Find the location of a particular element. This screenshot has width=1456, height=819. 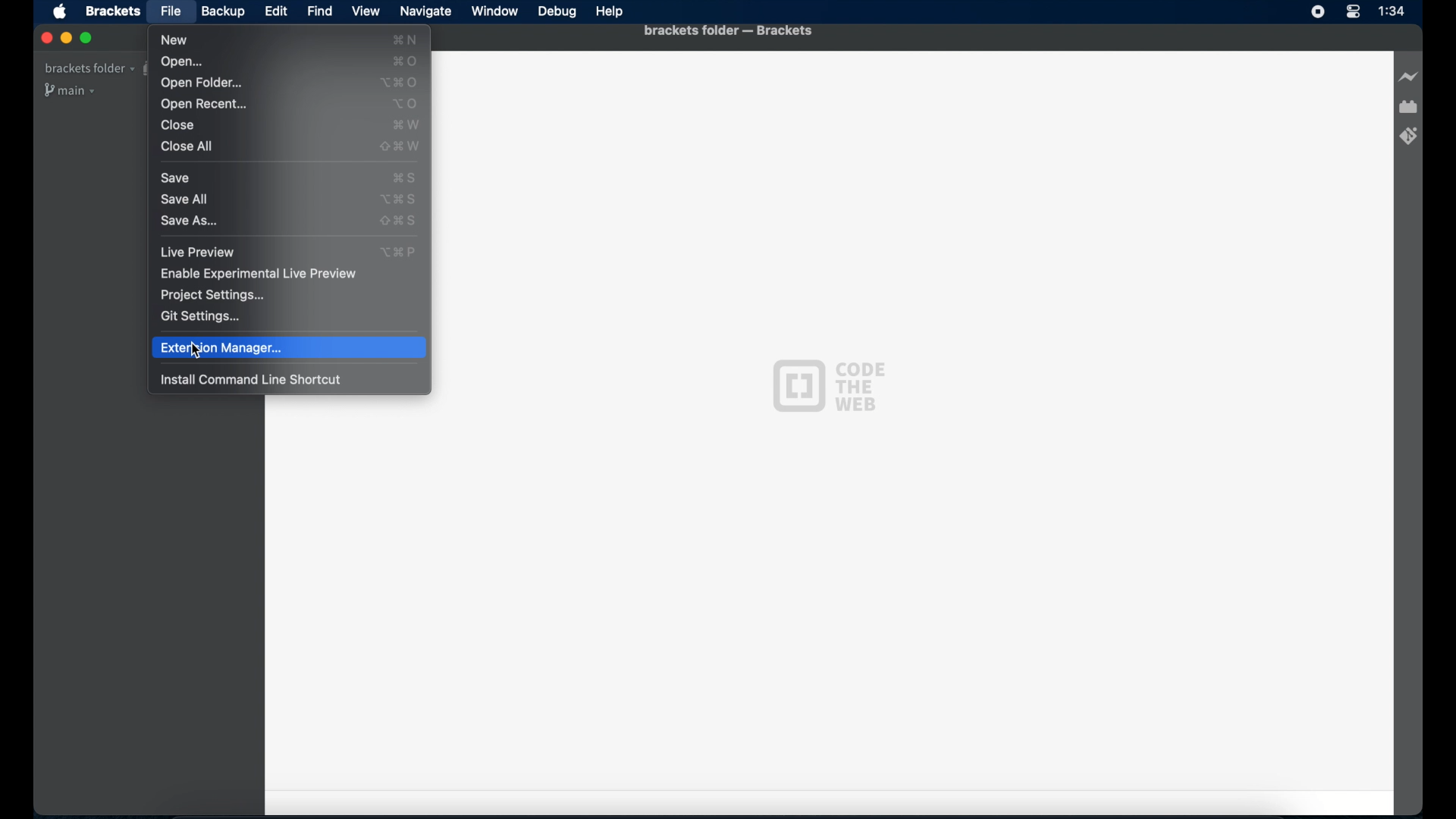

Time is located at coordinates (1392, 11).